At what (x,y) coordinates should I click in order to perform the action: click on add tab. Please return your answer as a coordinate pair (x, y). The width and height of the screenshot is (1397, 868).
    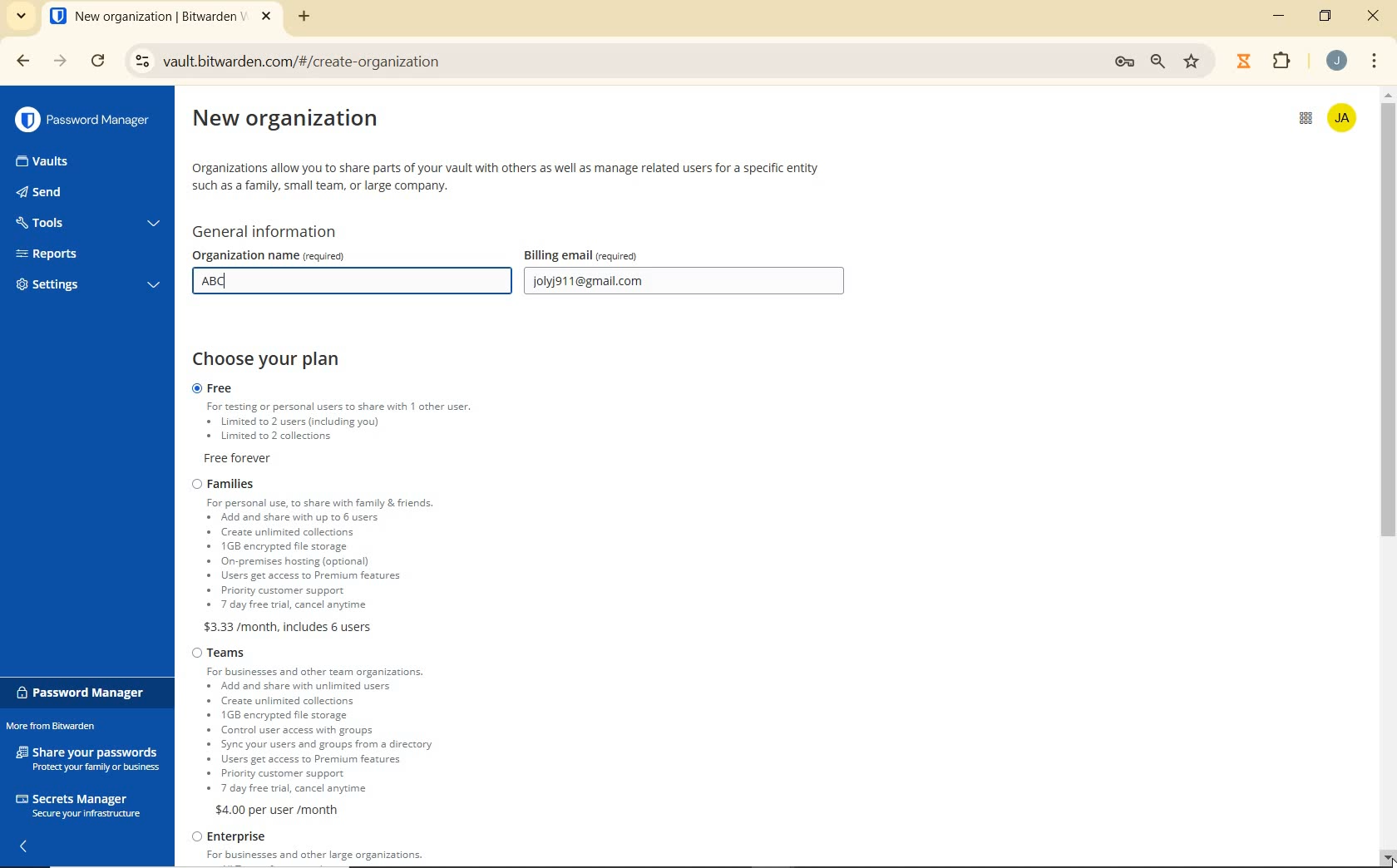
    Looking at the image, I should click on (304, 16).